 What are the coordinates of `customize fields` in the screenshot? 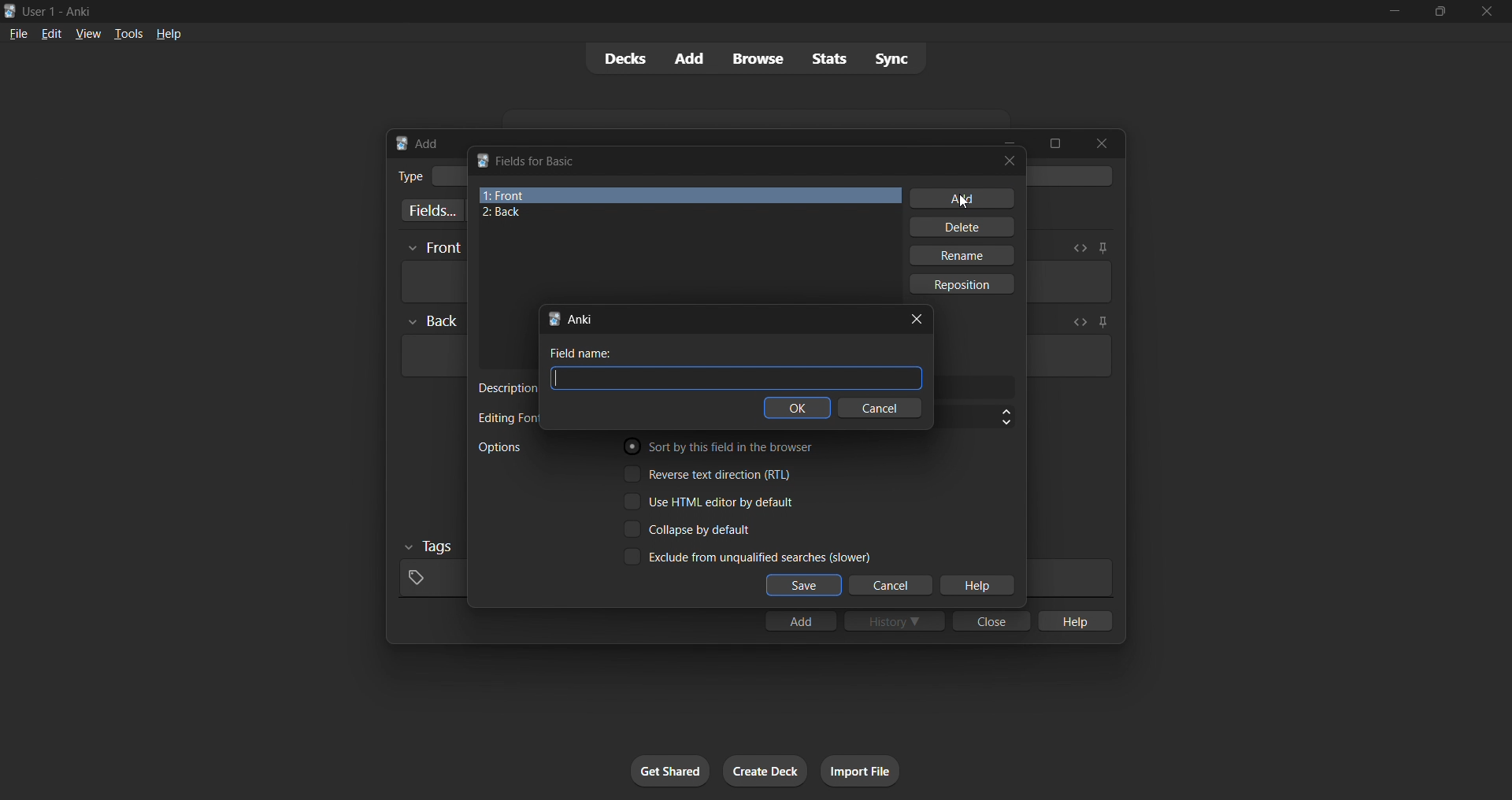 It's located at (429, 210).